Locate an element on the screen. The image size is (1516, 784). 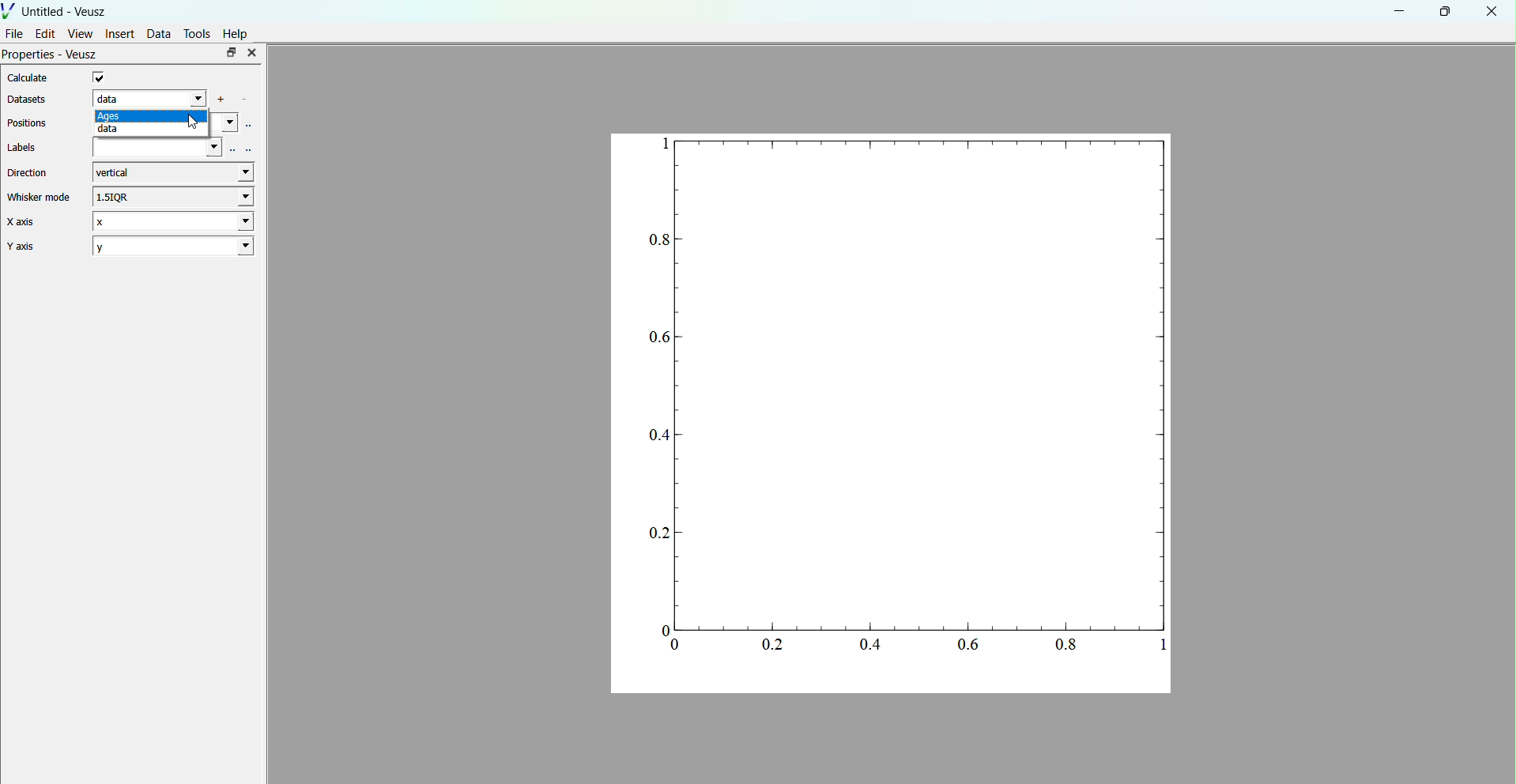
add is located at coordinates (224, 99).